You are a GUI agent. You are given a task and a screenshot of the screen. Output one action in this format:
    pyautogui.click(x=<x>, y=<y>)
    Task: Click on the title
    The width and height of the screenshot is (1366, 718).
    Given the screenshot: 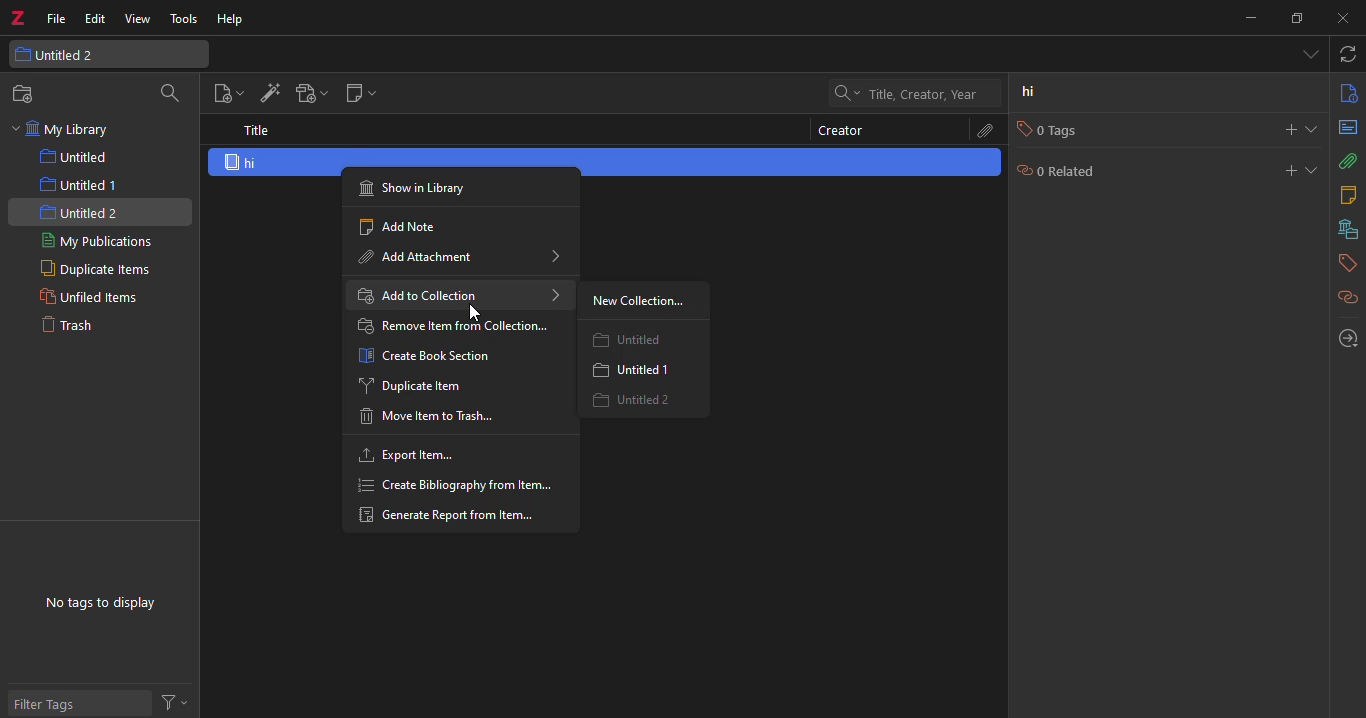 What is the action you would take?
    pyautogui.click(x=255, y=130)
    